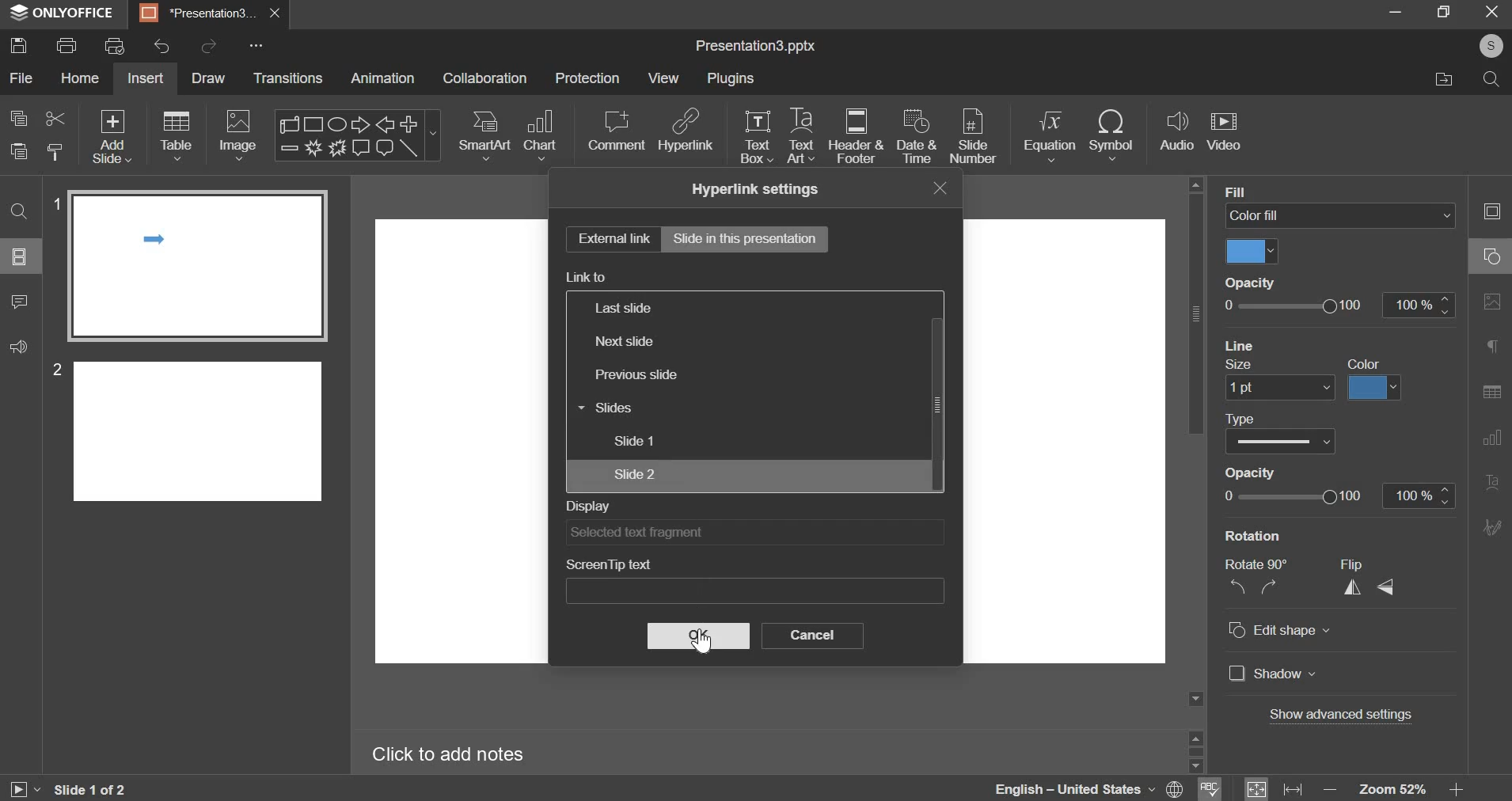 This screenshot has height=801, width=1512. I want to click on slide layout, so click(19, 256).